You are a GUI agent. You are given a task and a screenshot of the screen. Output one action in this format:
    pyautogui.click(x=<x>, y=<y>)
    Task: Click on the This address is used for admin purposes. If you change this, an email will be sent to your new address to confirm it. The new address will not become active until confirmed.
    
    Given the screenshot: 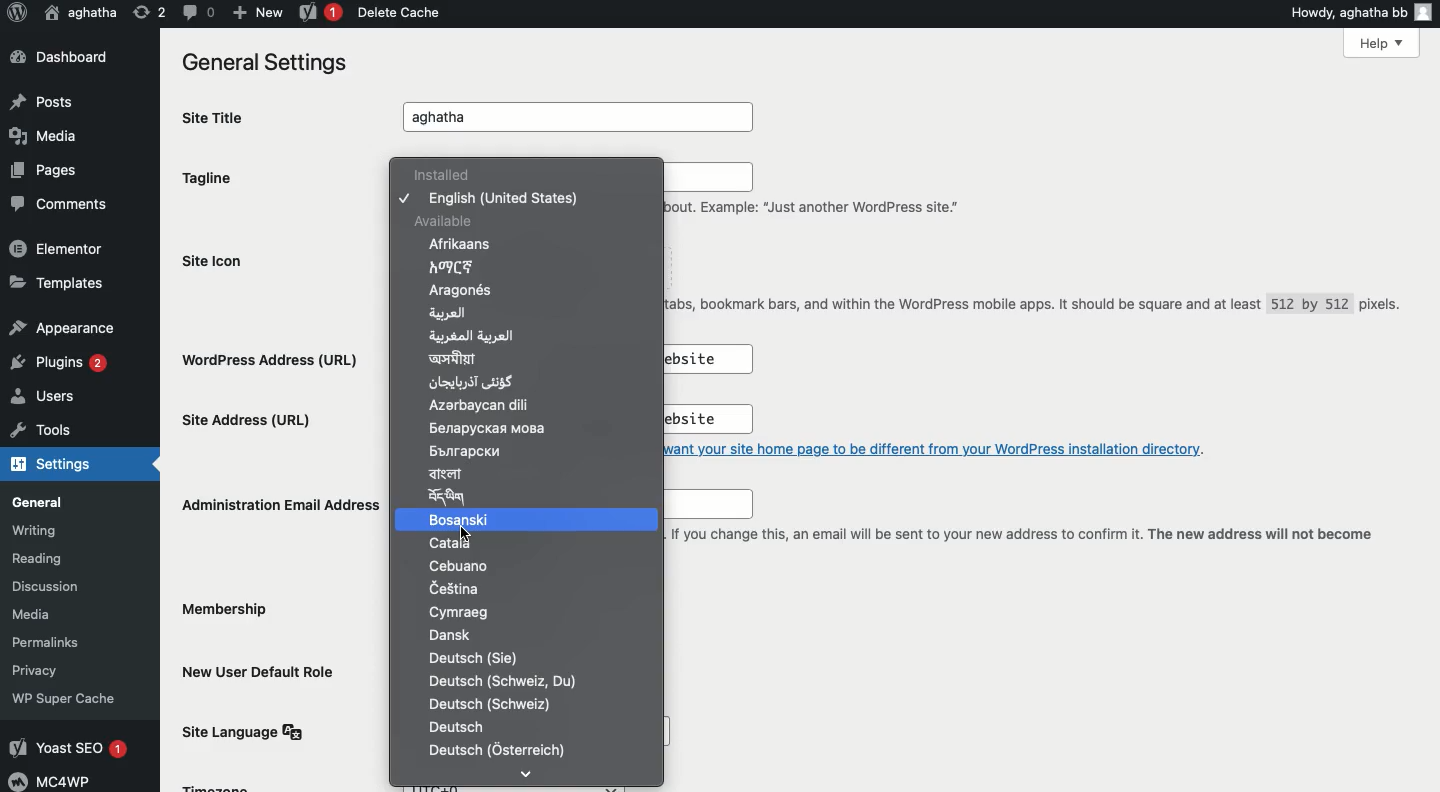 What is the action you would take?
    pyautogui.click(x=1022, y=545)
    